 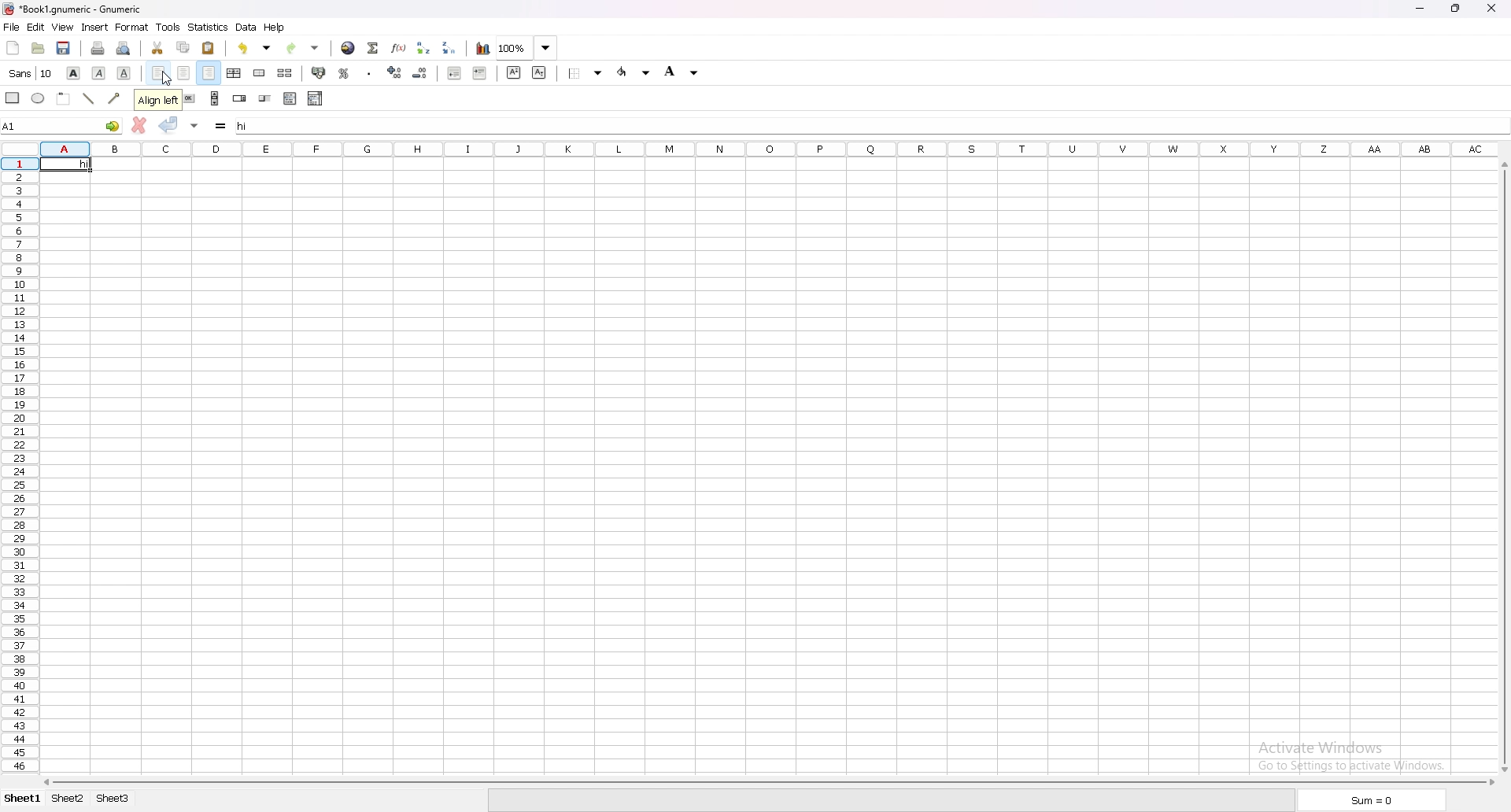 I want to click on print preview, so click(x=122, y=48).